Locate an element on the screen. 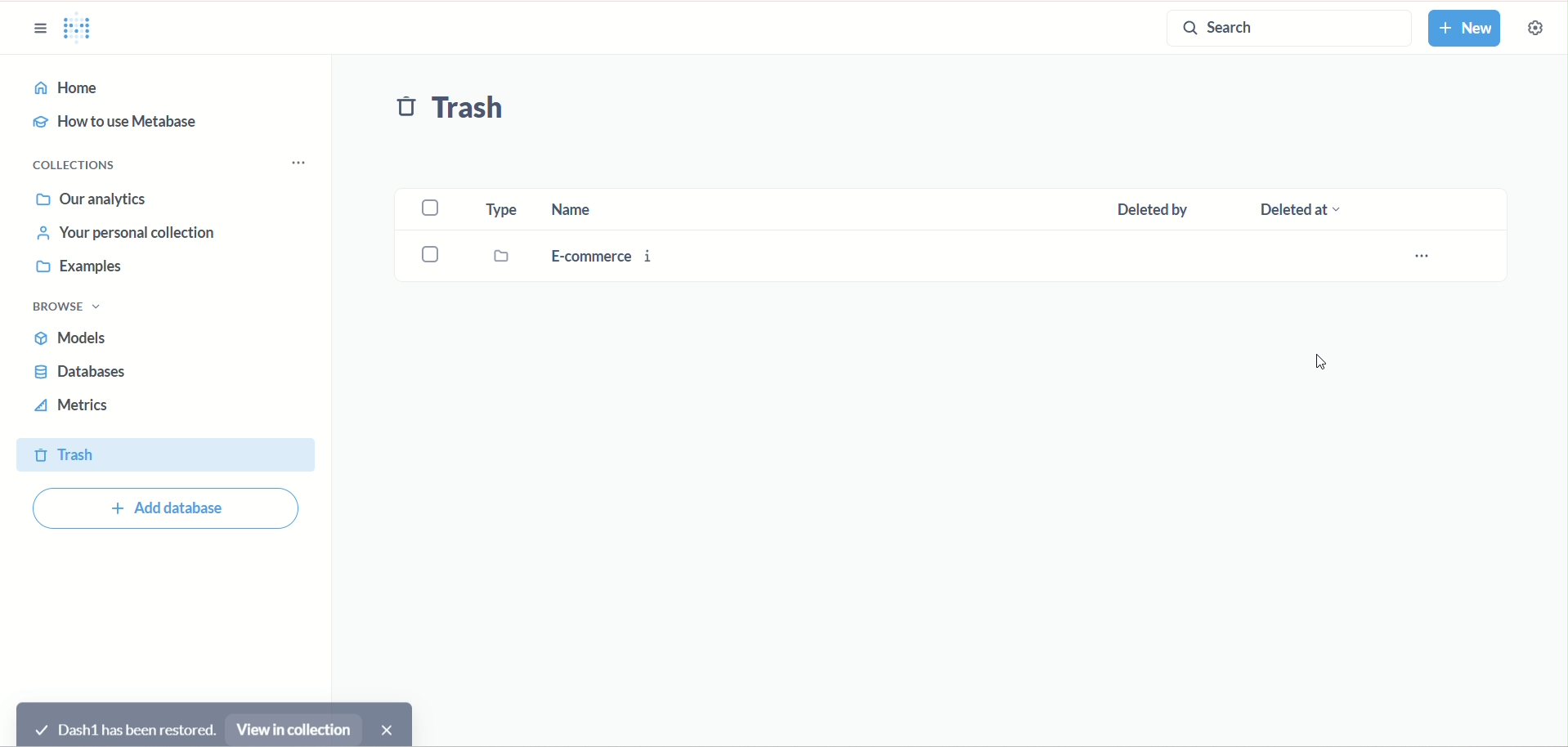 The image size is (1568, 747). folder icon is located at coordinates (502, 255).